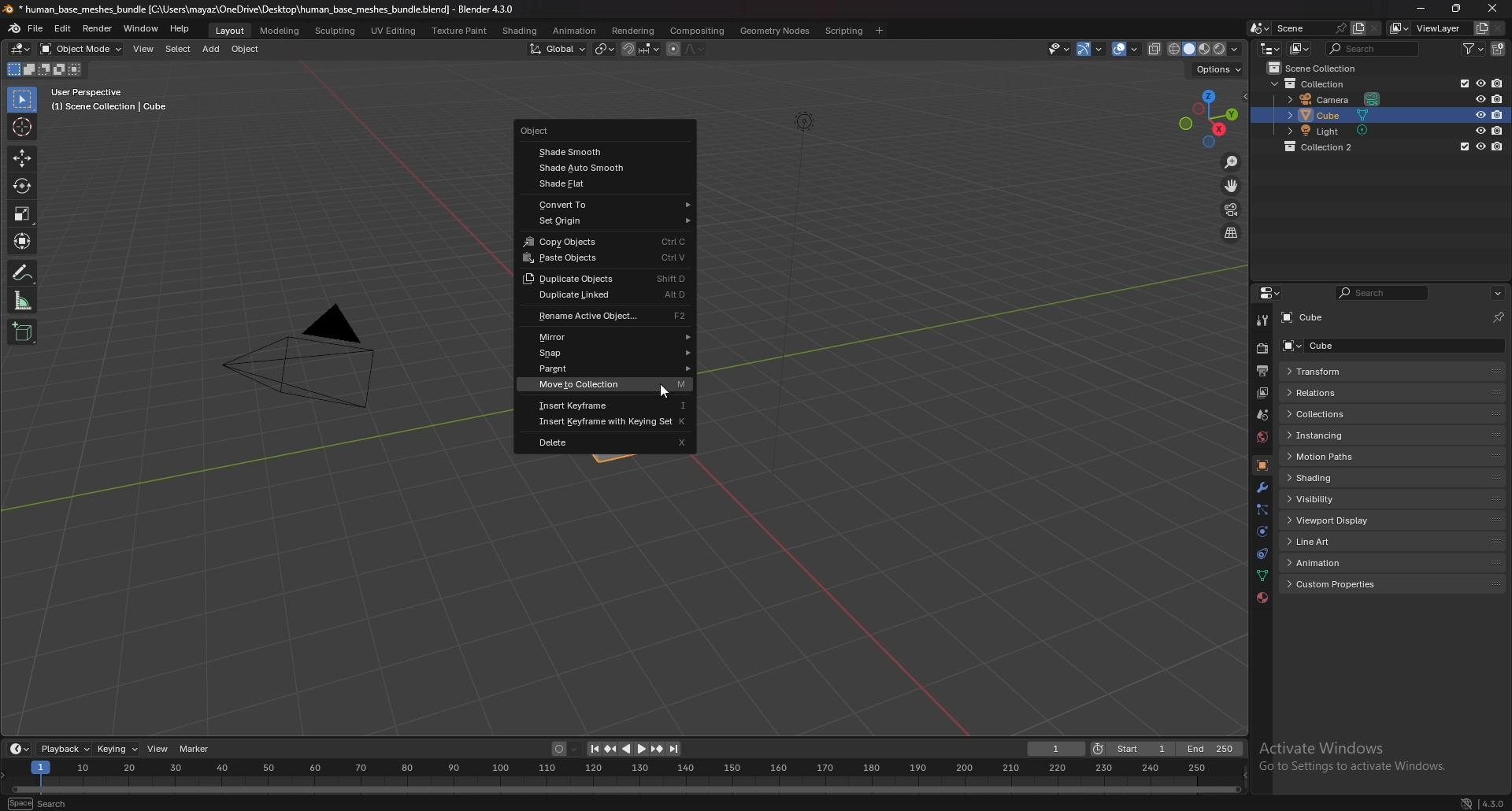 This screenshot has width=1512, height=811. Describe the element at coordinates (211, 49) in the screenshot. I see `add` at that location.